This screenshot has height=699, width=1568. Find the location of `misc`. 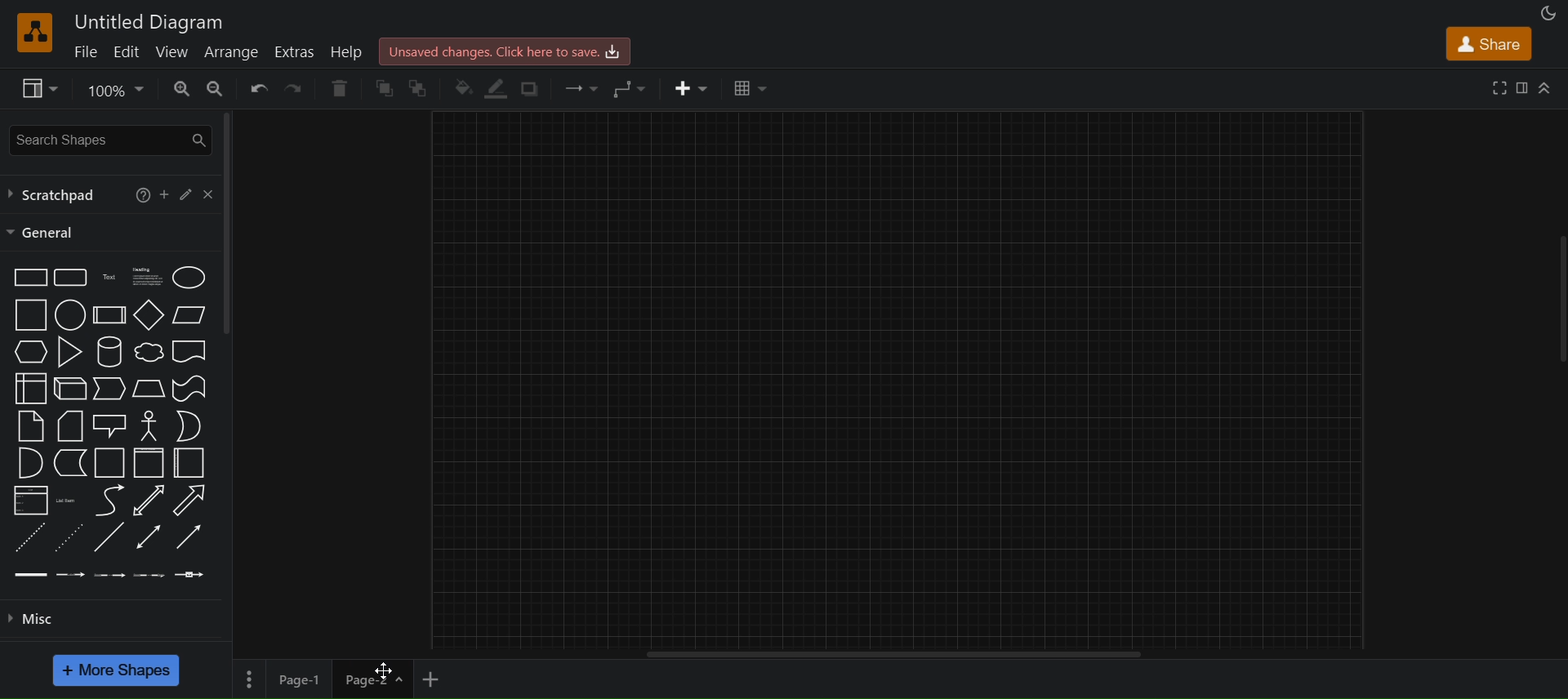

misc is located at coordinates (109, 621).